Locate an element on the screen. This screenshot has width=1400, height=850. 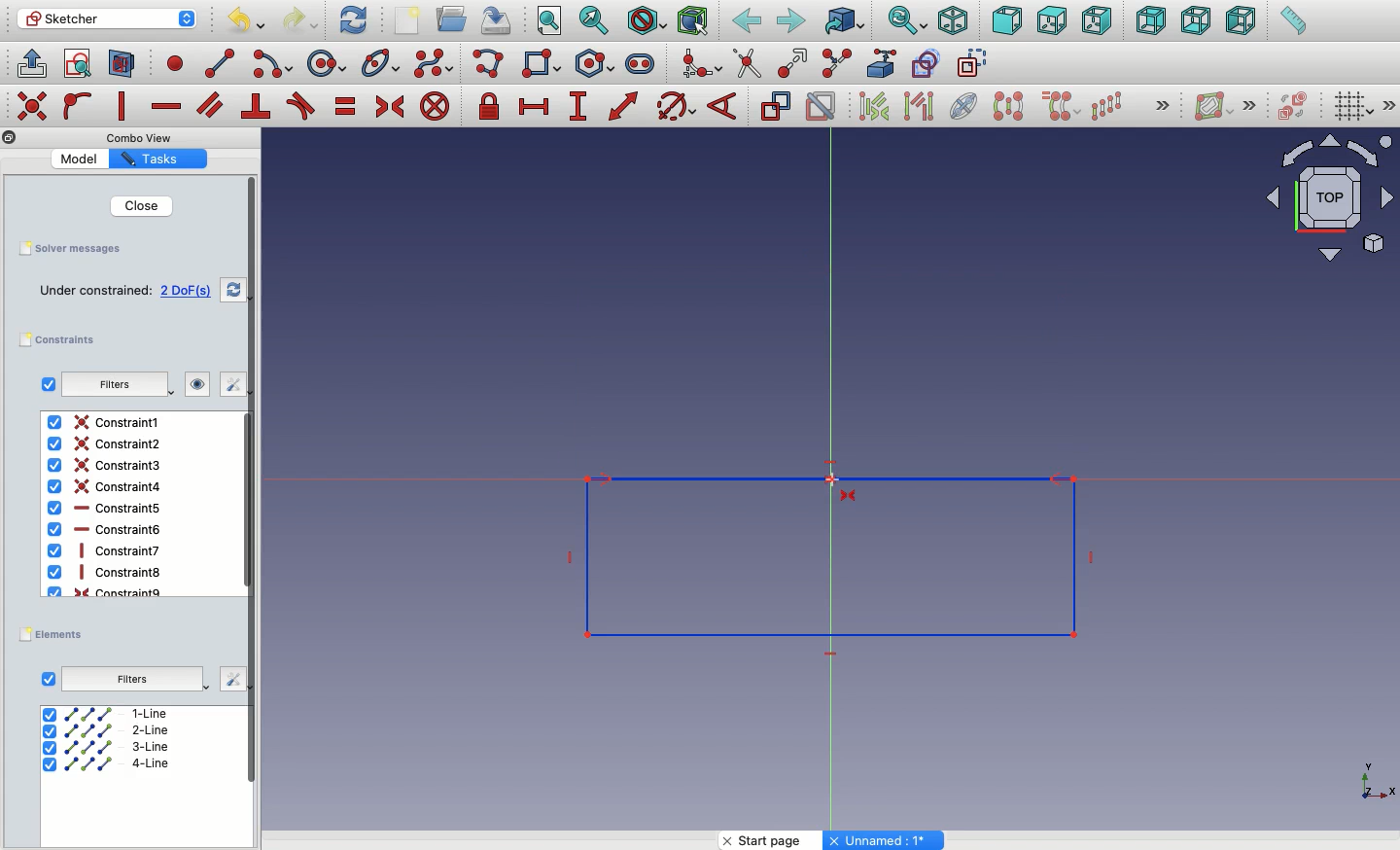
scroll is located at coordinates (254, 511).